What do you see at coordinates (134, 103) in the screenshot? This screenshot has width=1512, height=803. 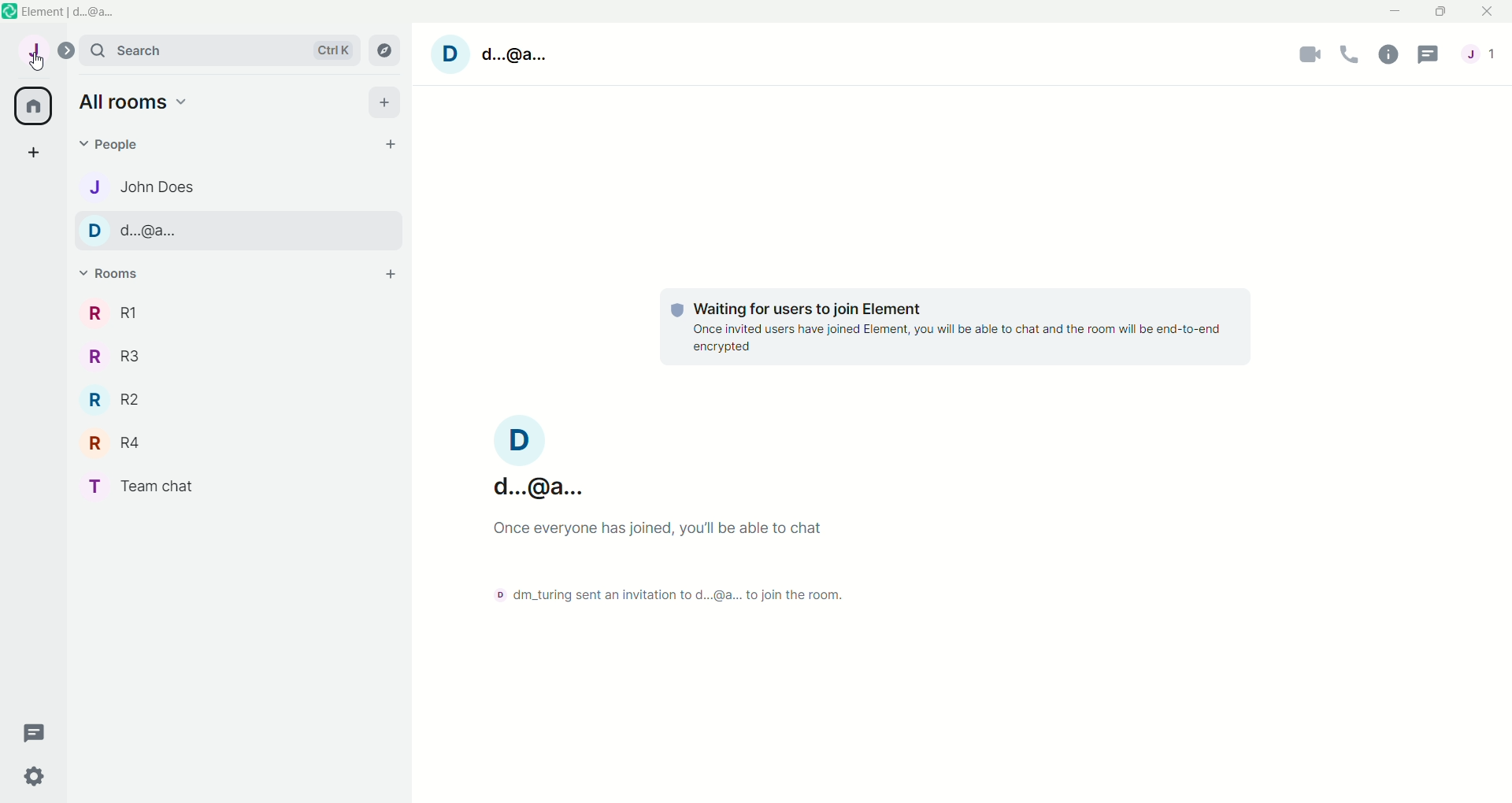 I see `All rooms` at bounding box center [134, 103].